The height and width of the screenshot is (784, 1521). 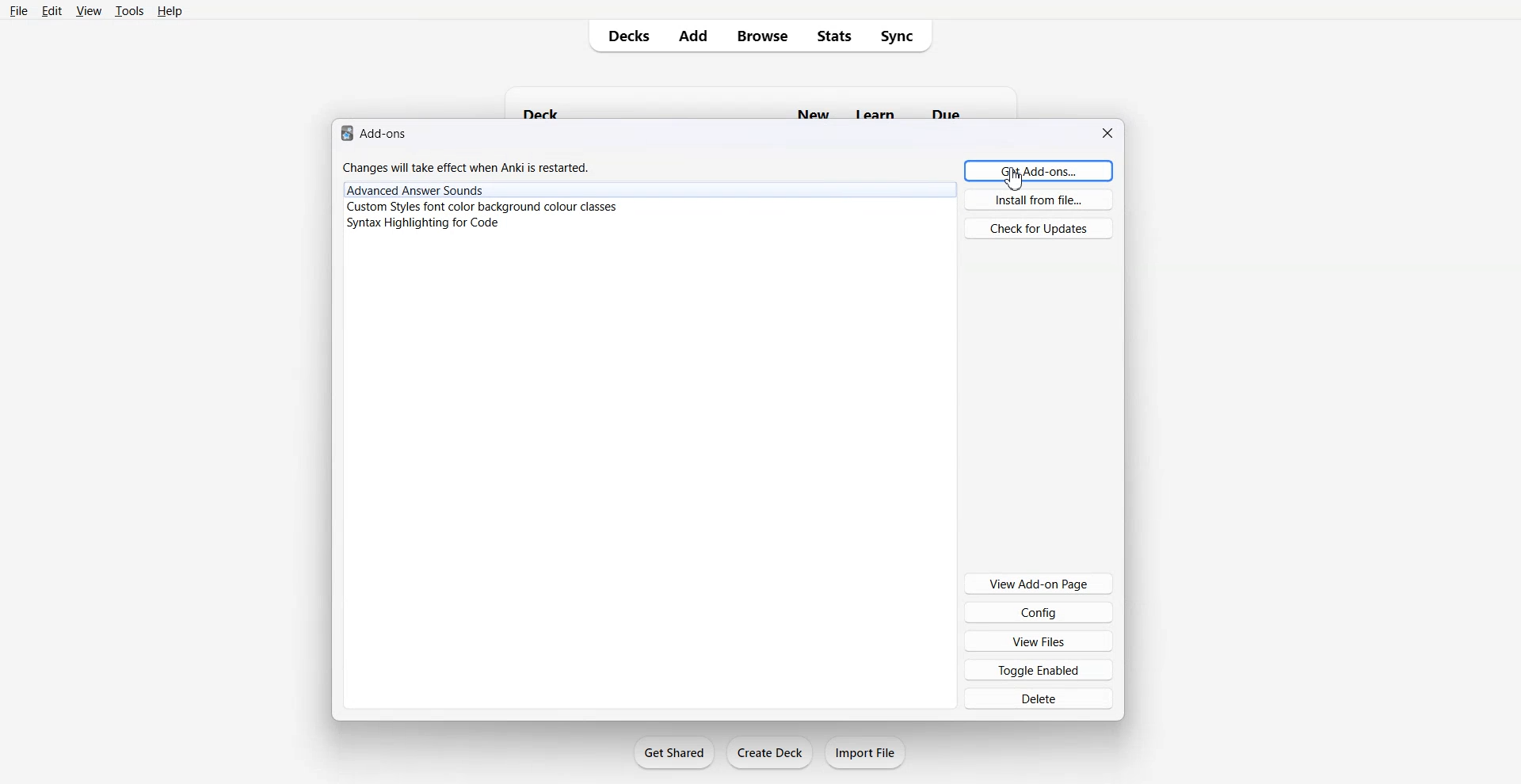 What do you see at coordinates (466, 168) in the screenshot?
I see `Changes will take effect when anki is restarted` at bounding box center [466, 168].